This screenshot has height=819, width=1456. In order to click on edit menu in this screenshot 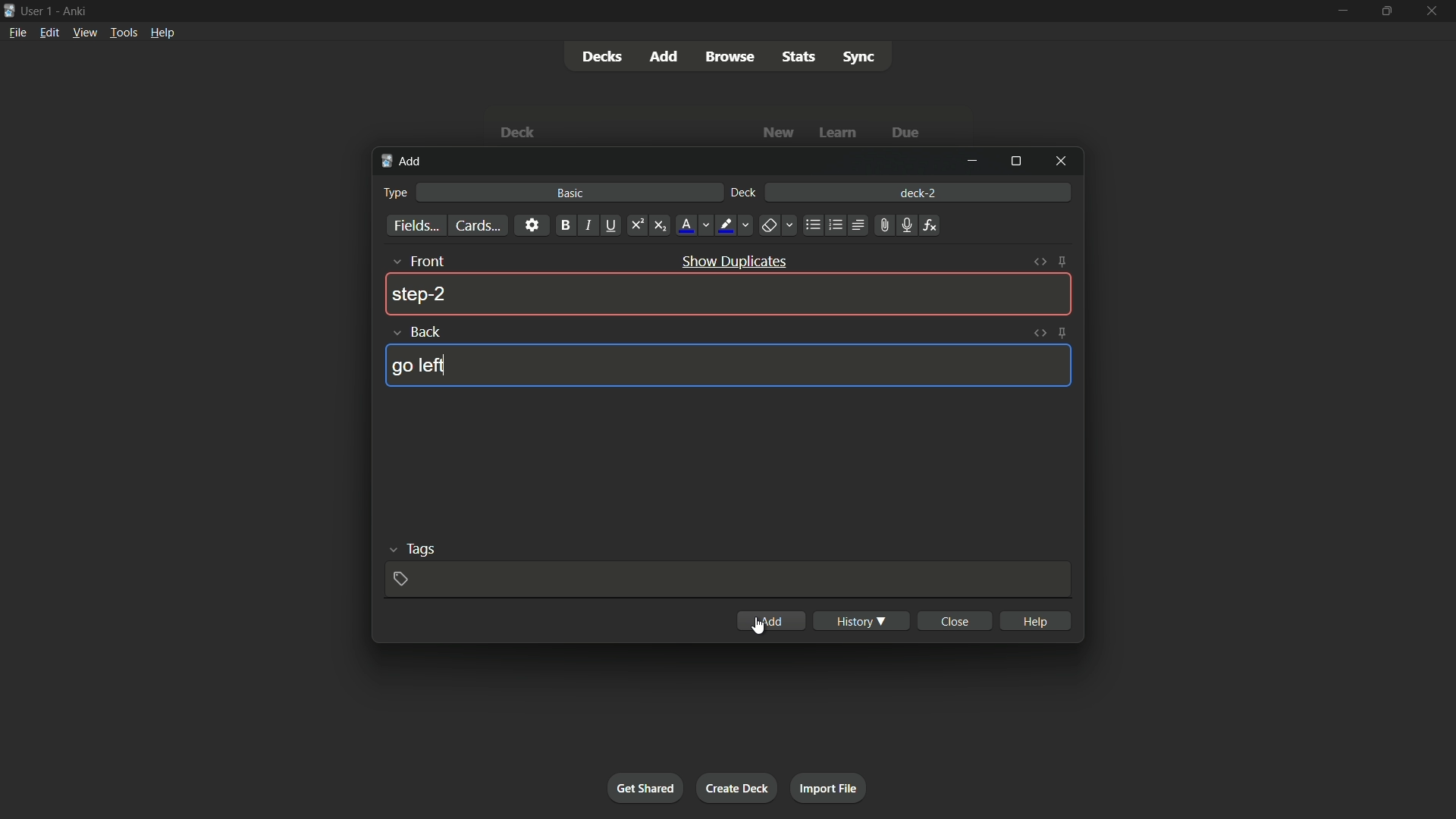, I will do `click(47, 32)`.